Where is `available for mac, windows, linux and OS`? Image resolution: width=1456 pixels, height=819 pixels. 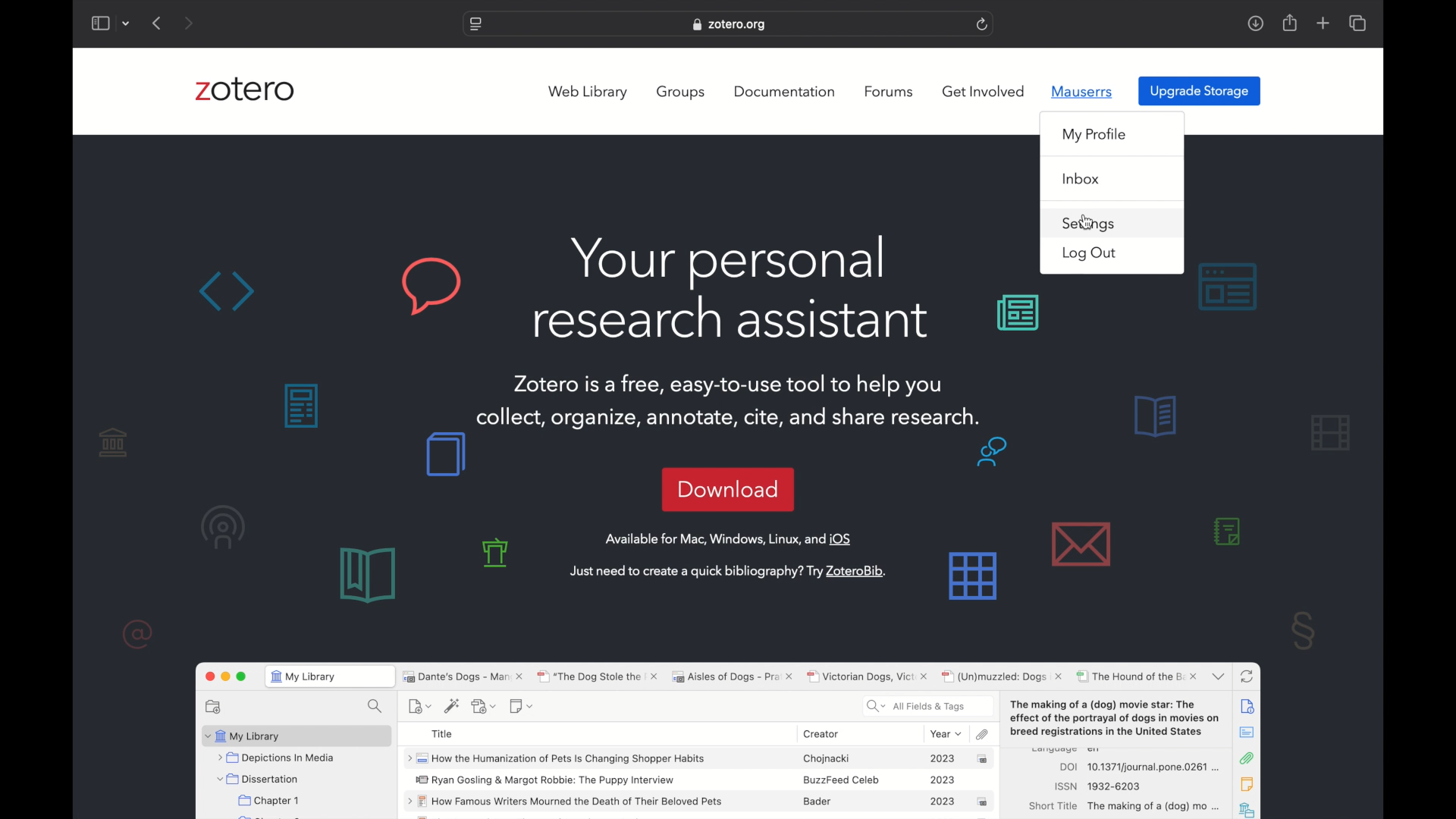 available for mac, windows, linux and OS is located at coordinates (727, 539).